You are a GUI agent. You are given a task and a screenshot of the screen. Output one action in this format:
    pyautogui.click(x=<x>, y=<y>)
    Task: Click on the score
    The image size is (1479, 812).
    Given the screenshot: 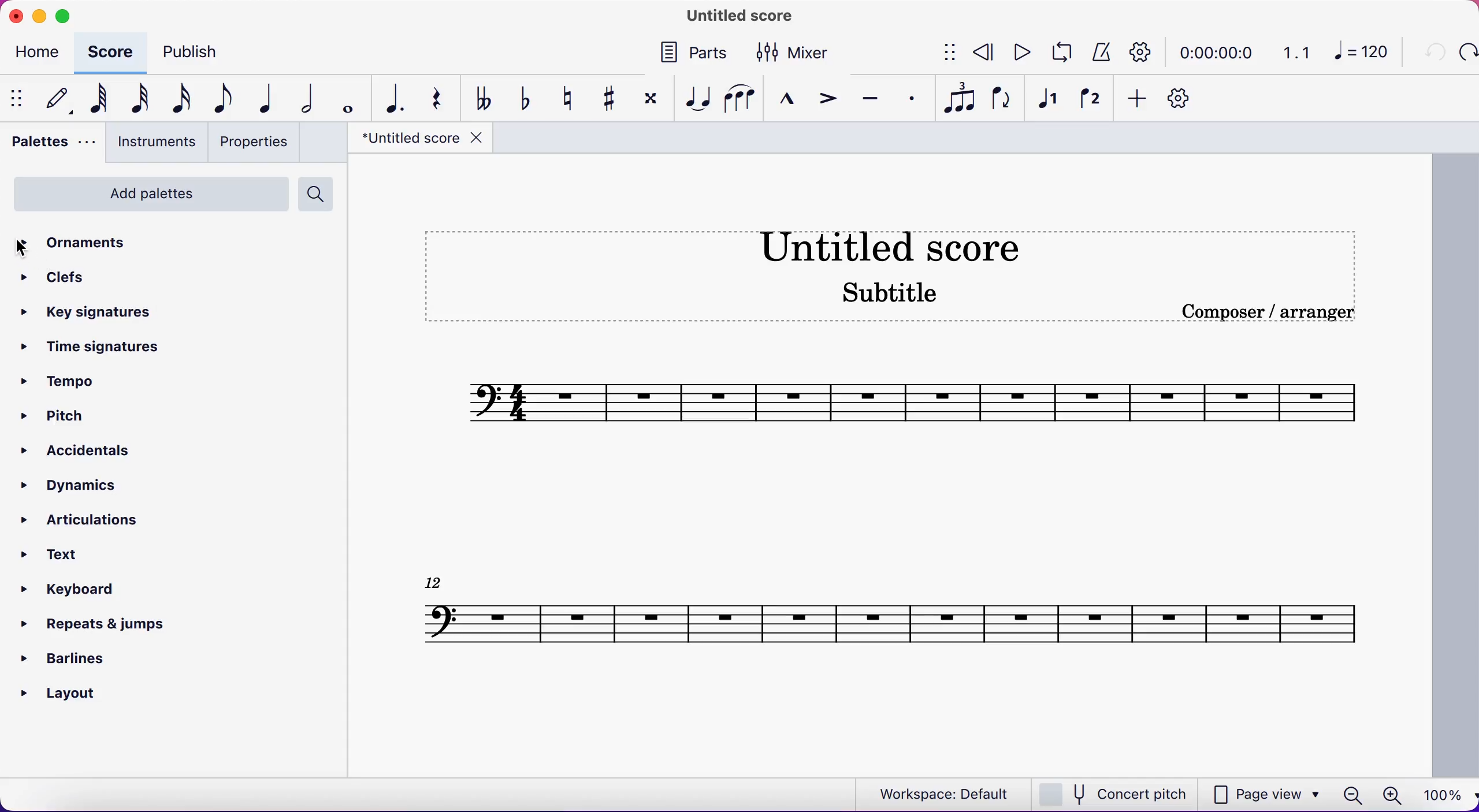 What is the action you would take?
    pyautogui.click(x=112, y=51)
    